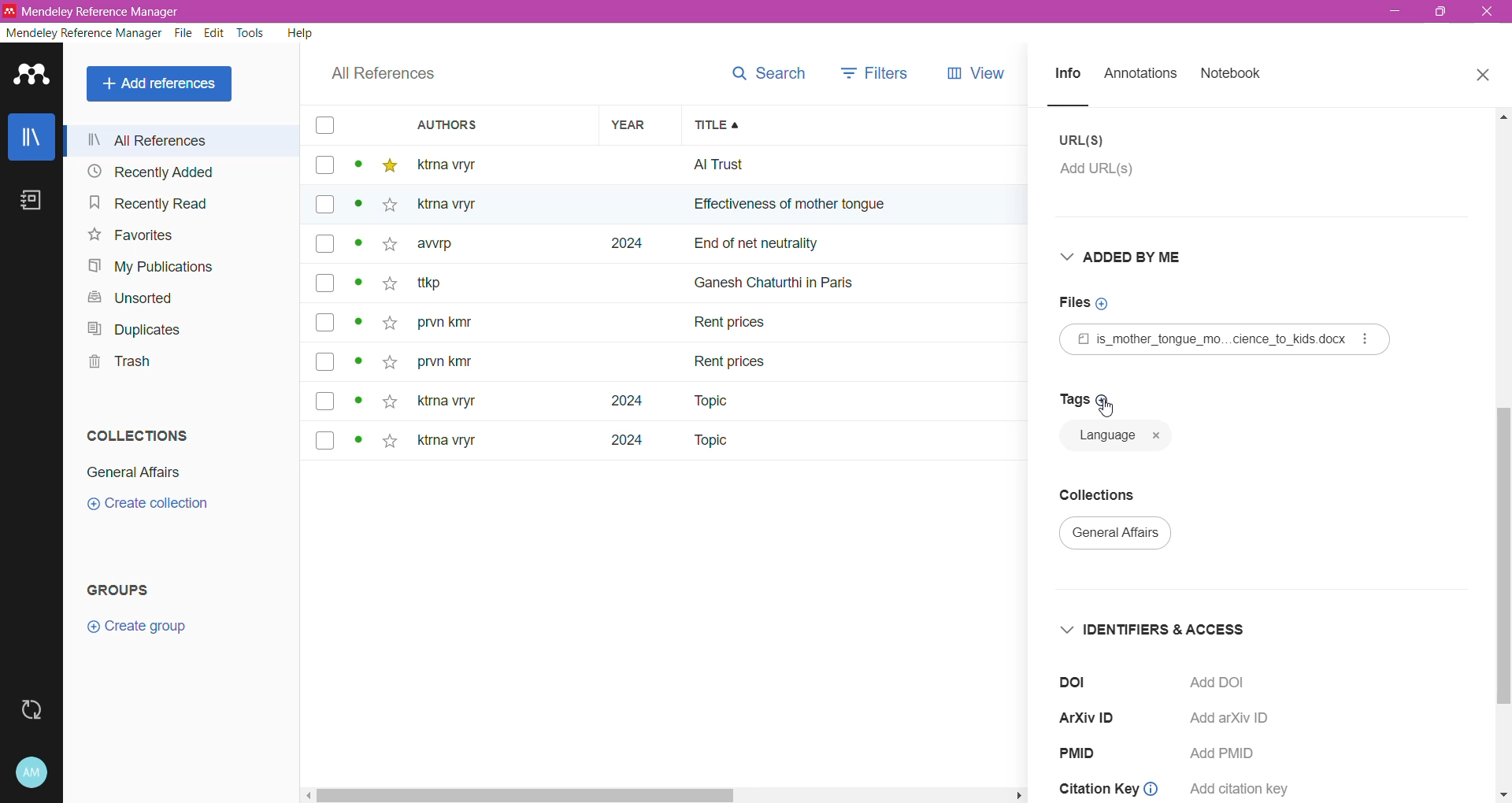  I want to click on Rent prices, so click(732, 325).